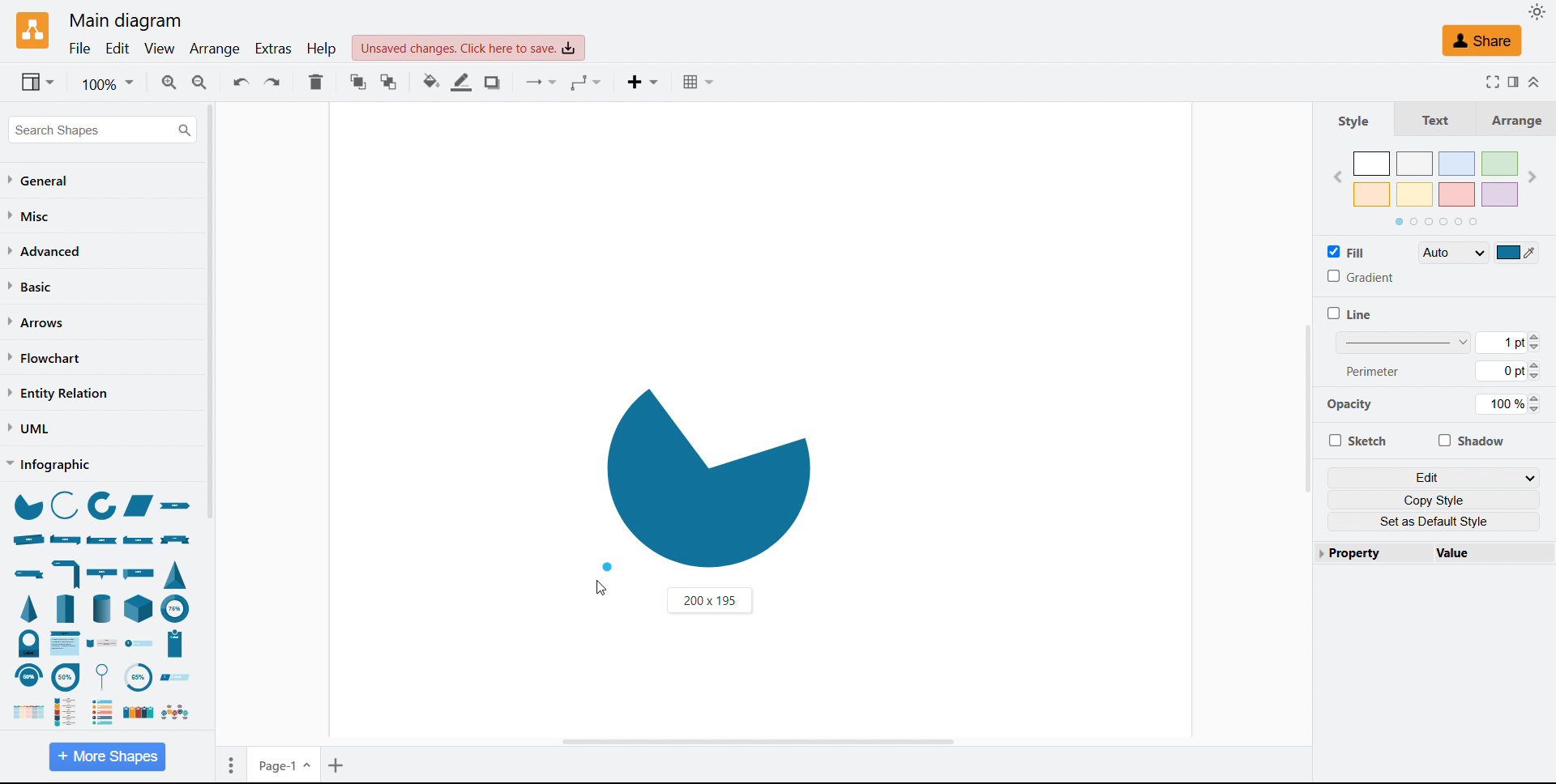 The width and height of the screenshot is (1556, 784). What do you see at coordinates (1434, 477) in the screenshot?
I see `Edit options ` at bounding box center [1434, 477].